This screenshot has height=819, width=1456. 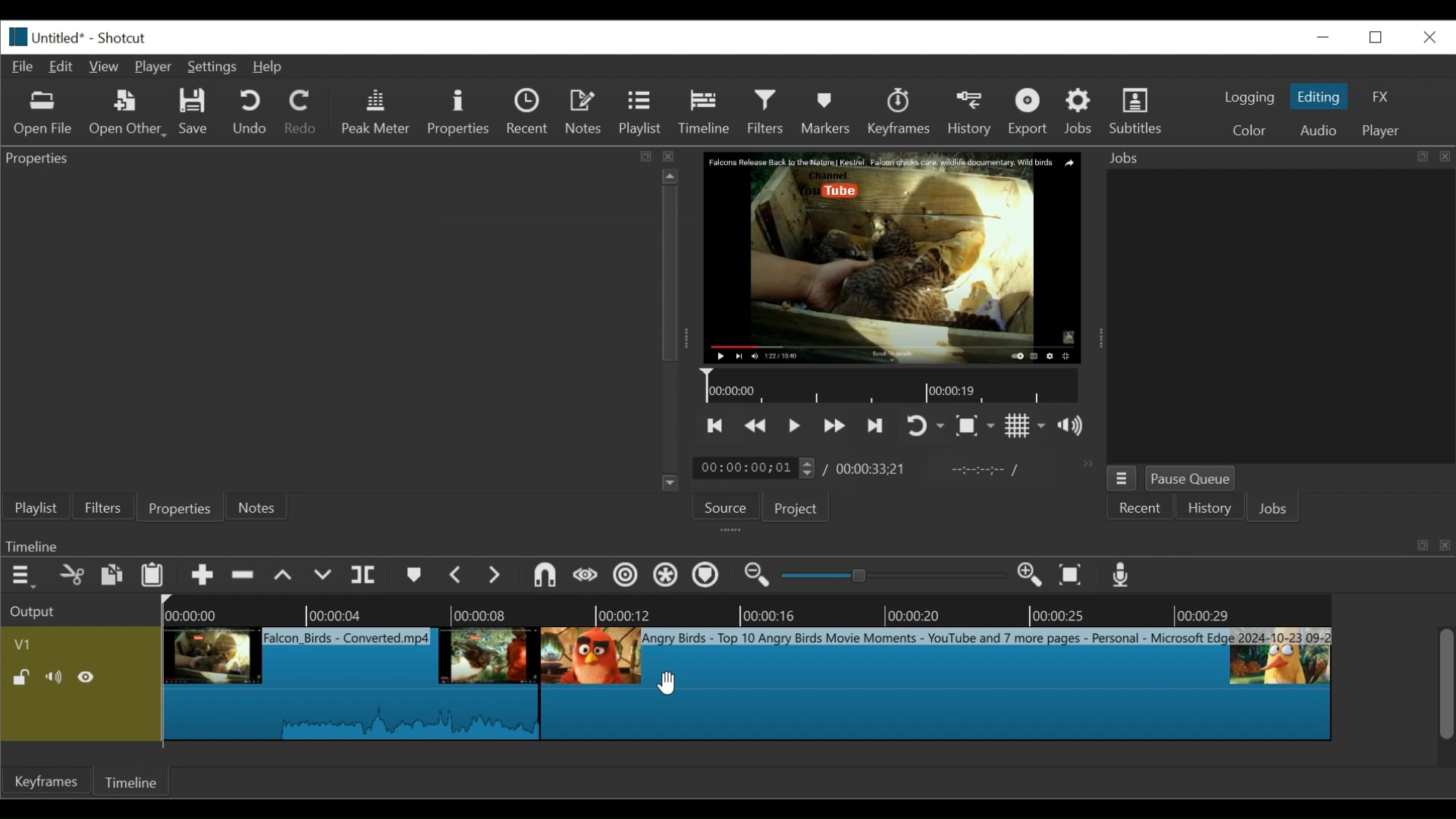 I want to click on Horizontal scroll bar, so click(x=666, y=755).